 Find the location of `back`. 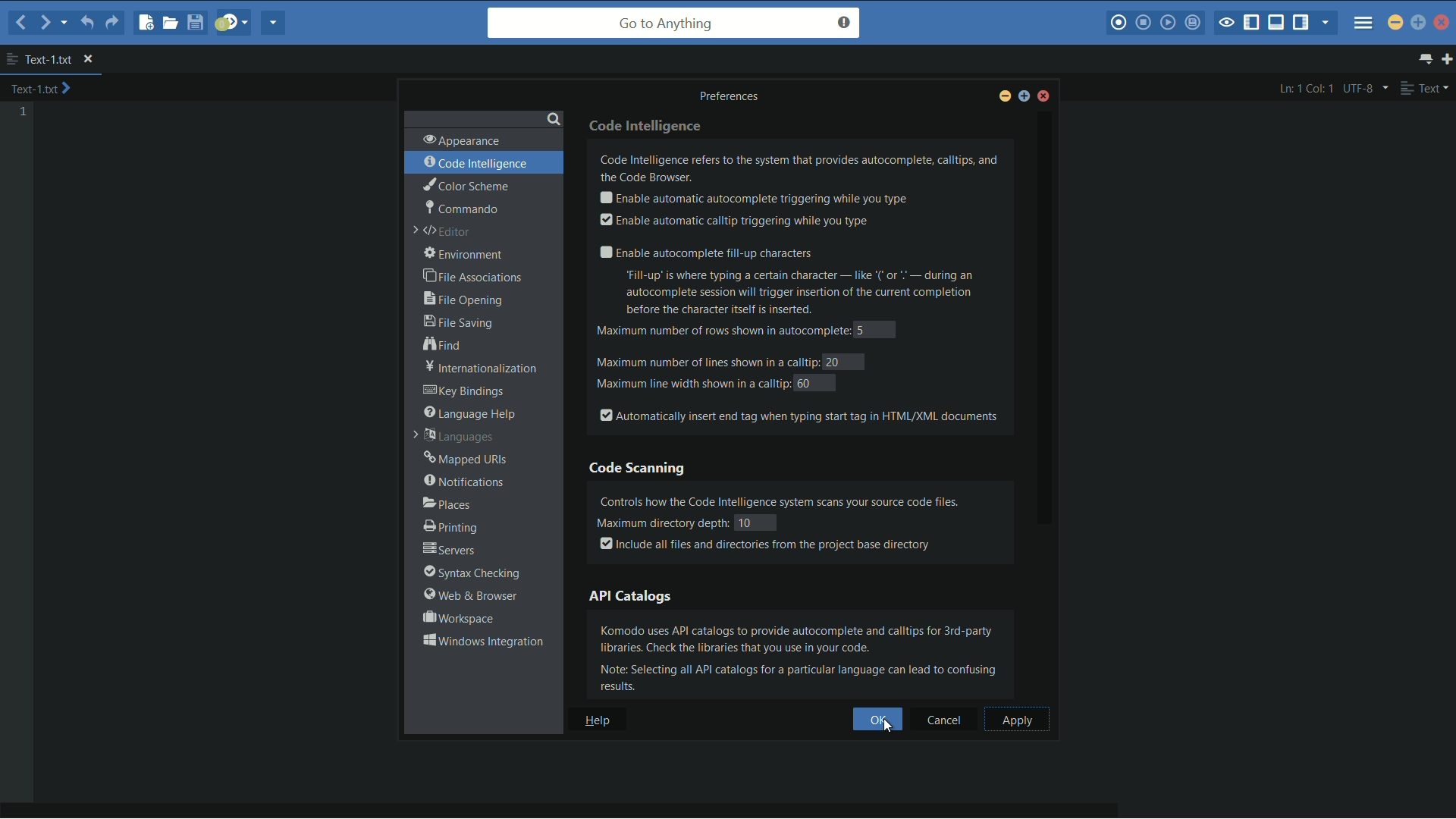

back is located at coordinates (21, 22).